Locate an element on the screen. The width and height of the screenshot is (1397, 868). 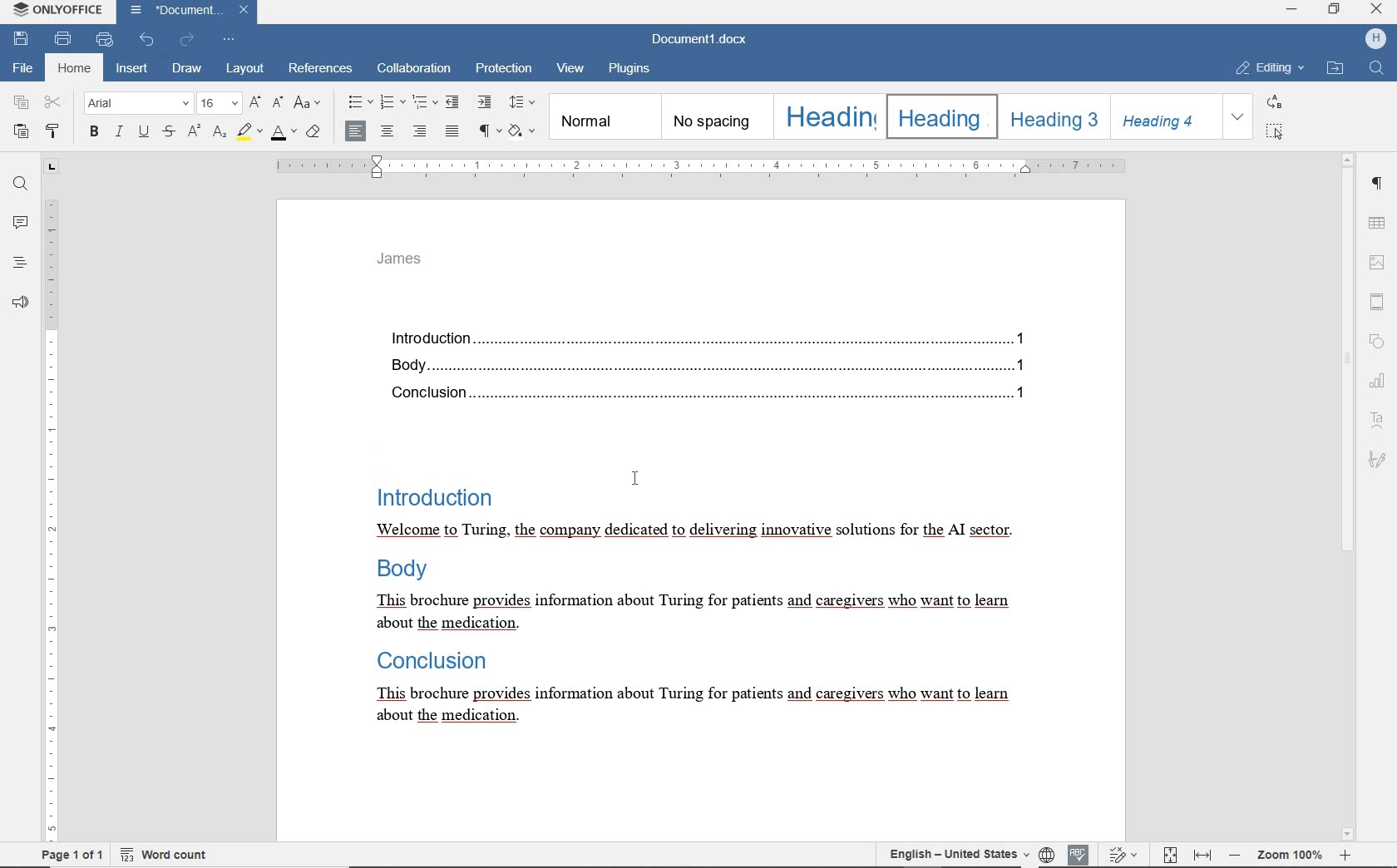
FIND is located at coordinates (1379, 70).